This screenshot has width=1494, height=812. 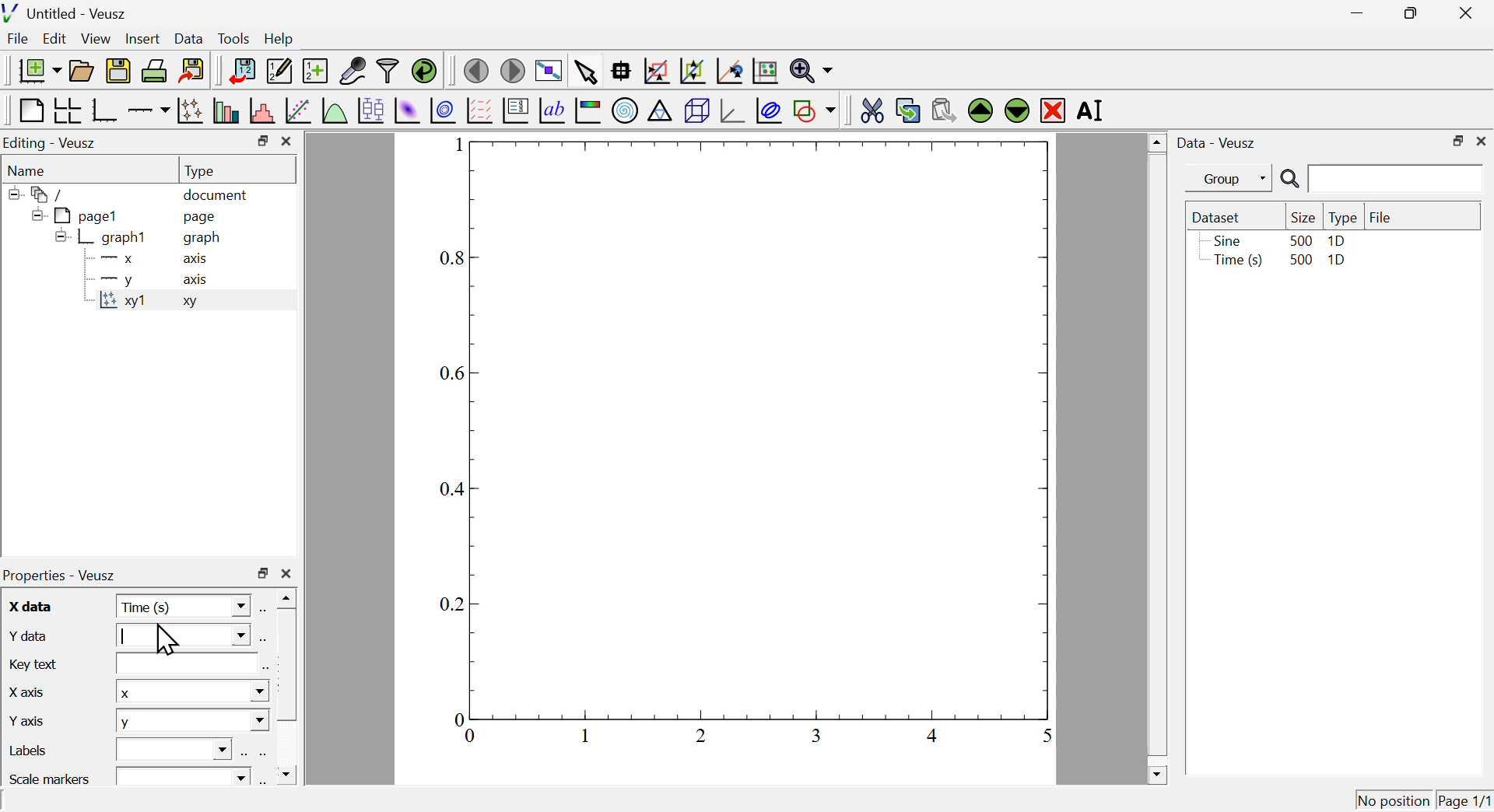 What do you see at coordinates (1343, 218) in the screenshot?
I see `type` at bounding box center [1343, 218].